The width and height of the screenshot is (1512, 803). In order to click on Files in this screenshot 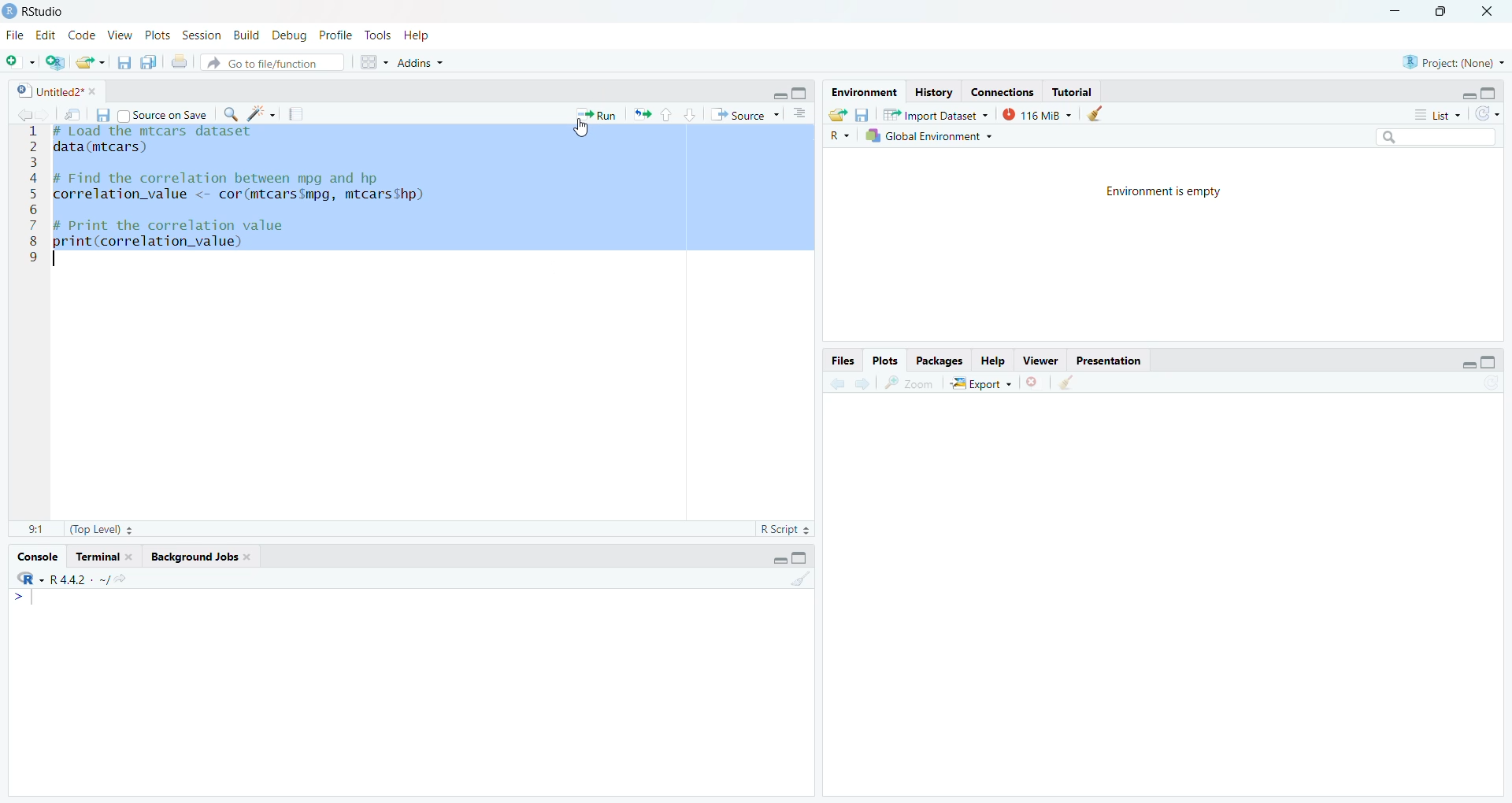, I will do `click(843, 361)`.